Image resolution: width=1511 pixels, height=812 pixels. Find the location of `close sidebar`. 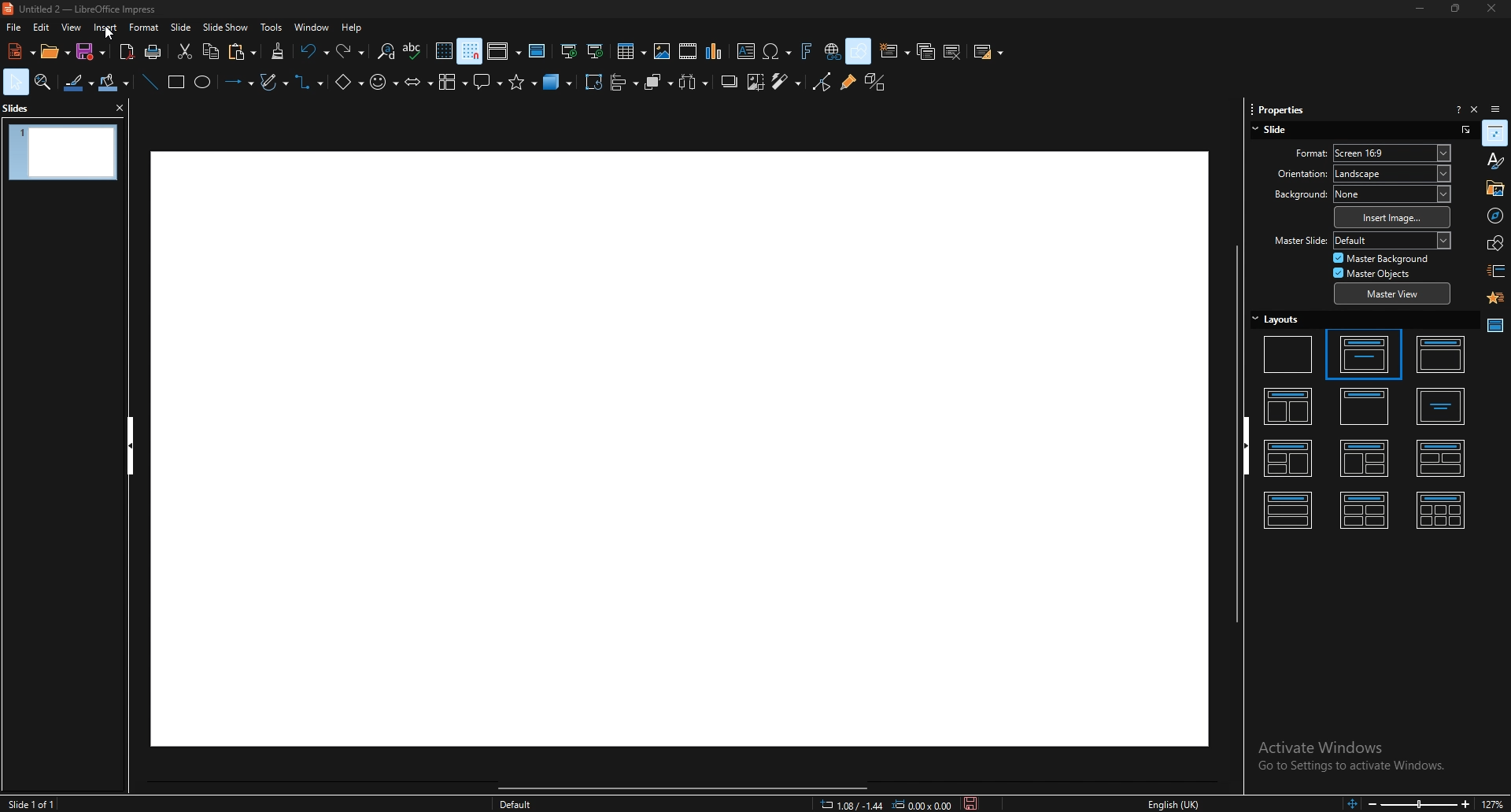

close sidebar is located at coordinates (1474, 109).